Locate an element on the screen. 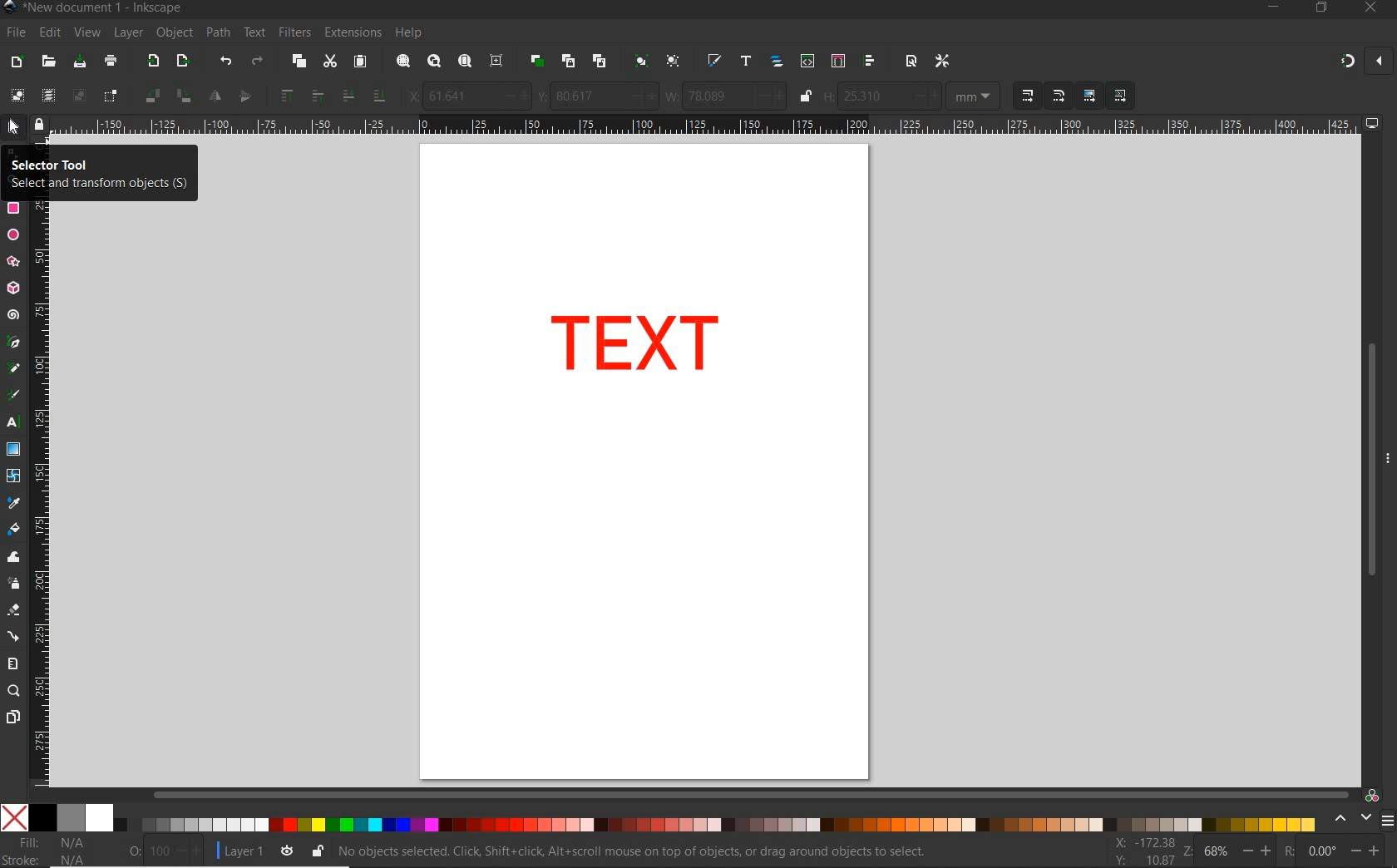 This screenshot has height=868, width=1397. object rotate is located at coordinates (166, 96).